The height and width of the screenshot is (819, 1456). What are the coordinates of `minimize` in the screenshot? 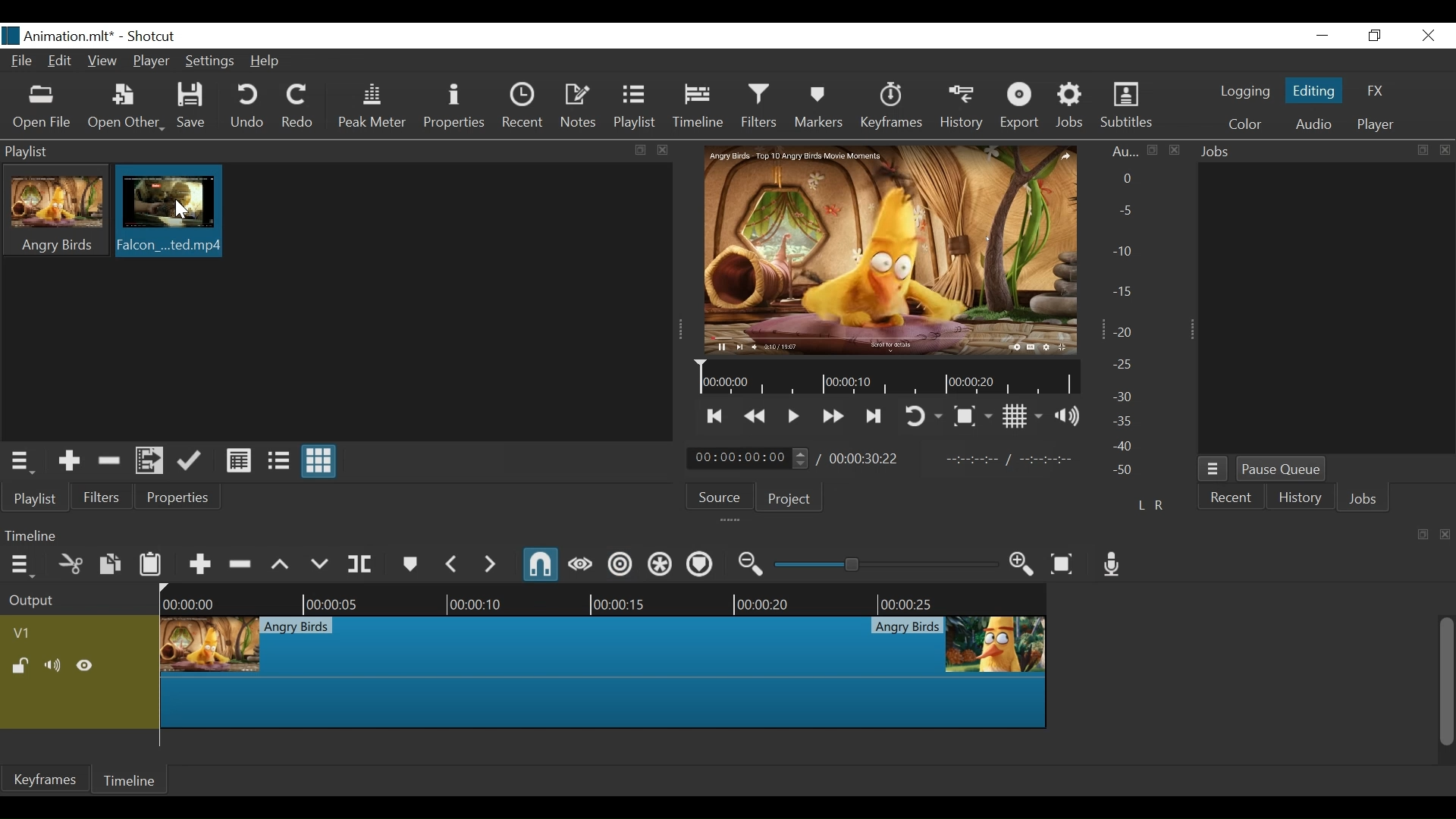 It's located at (1325, 36).